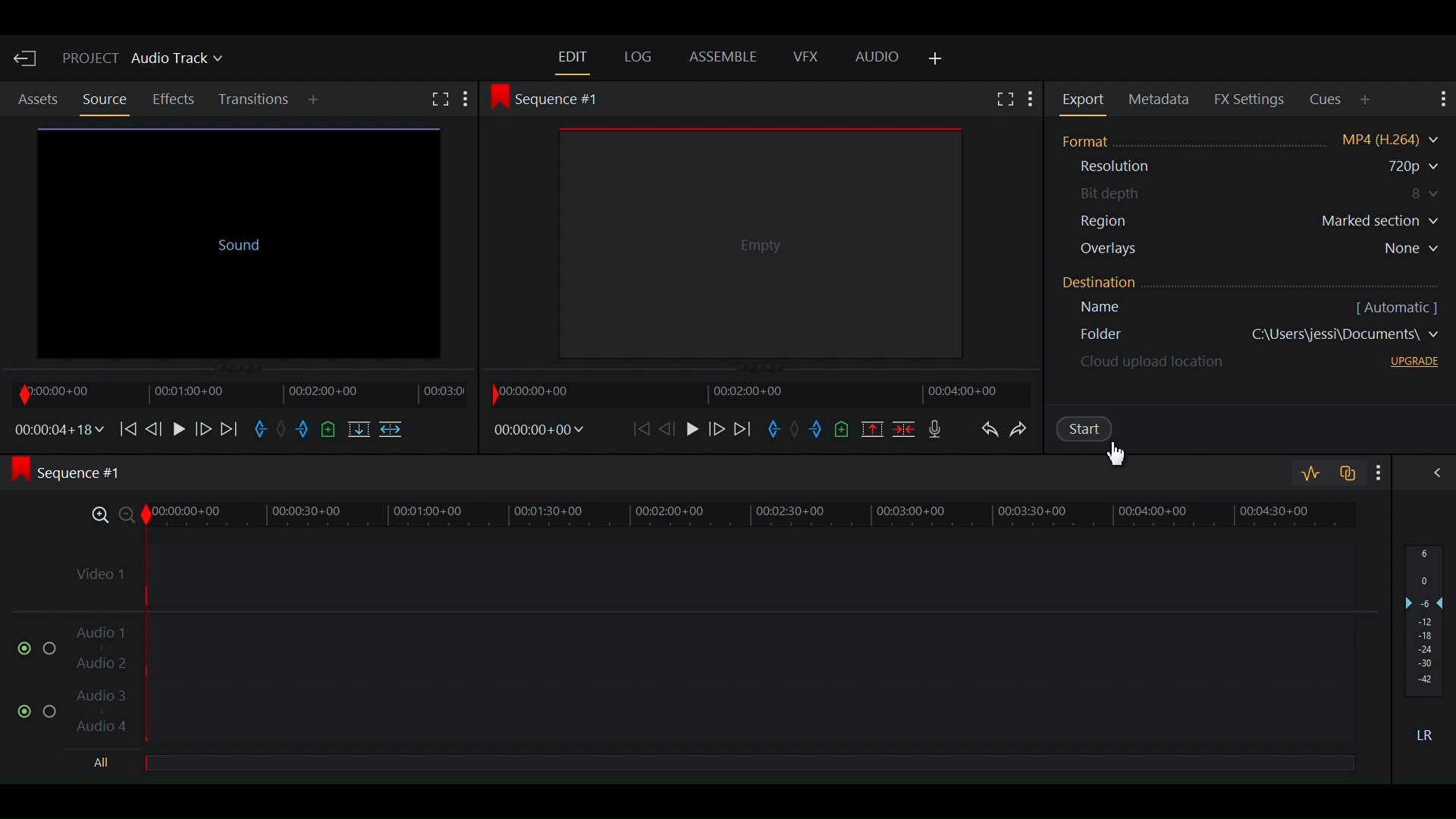  Describe the element at coordinates (178, 428) in the screenshot. I see `Play` at that location.